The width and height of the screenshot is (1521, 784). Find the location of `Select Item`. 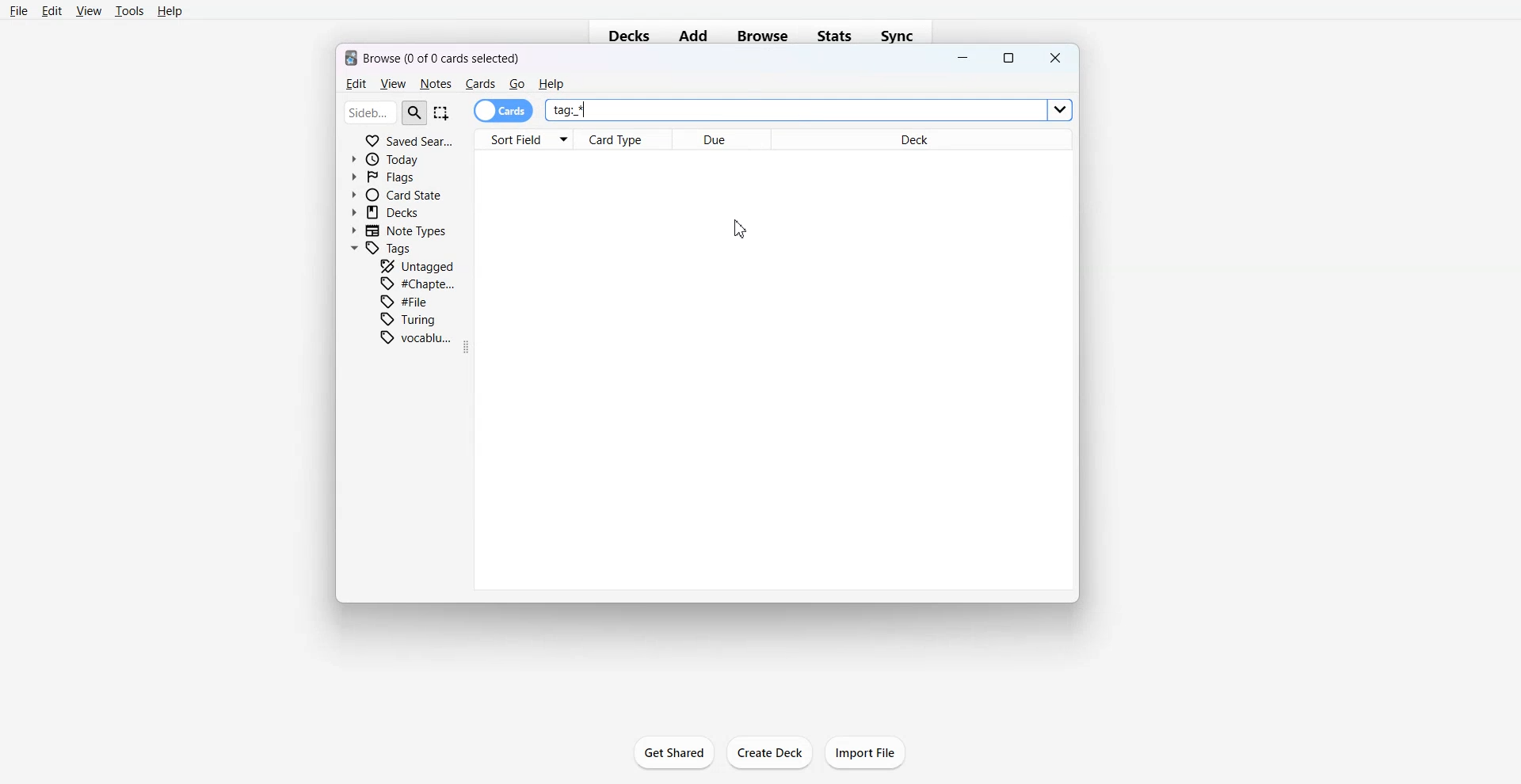

Select Item is located at coordinates (443, 112).